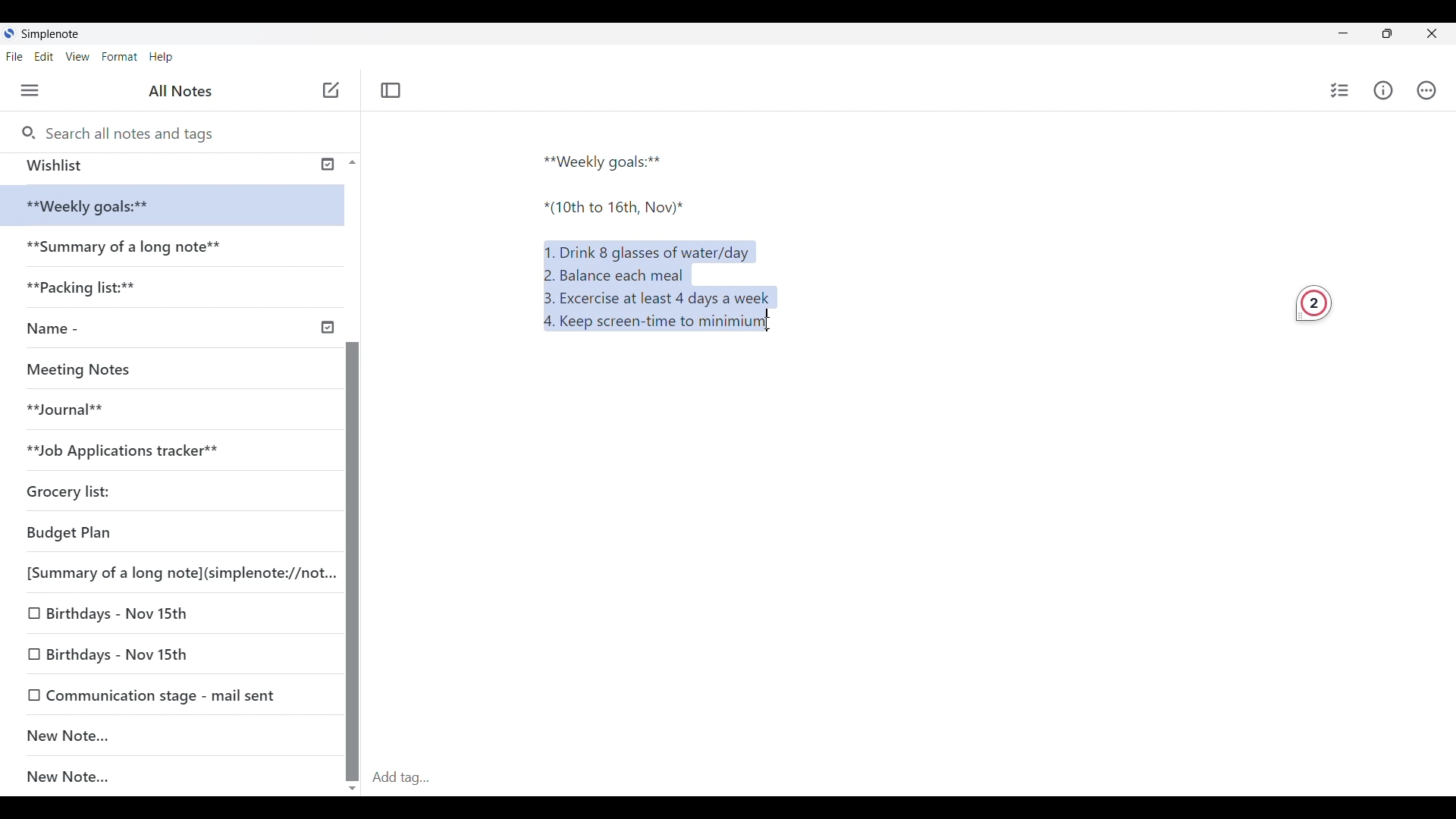  I want to click on New note, so click(331, 89).